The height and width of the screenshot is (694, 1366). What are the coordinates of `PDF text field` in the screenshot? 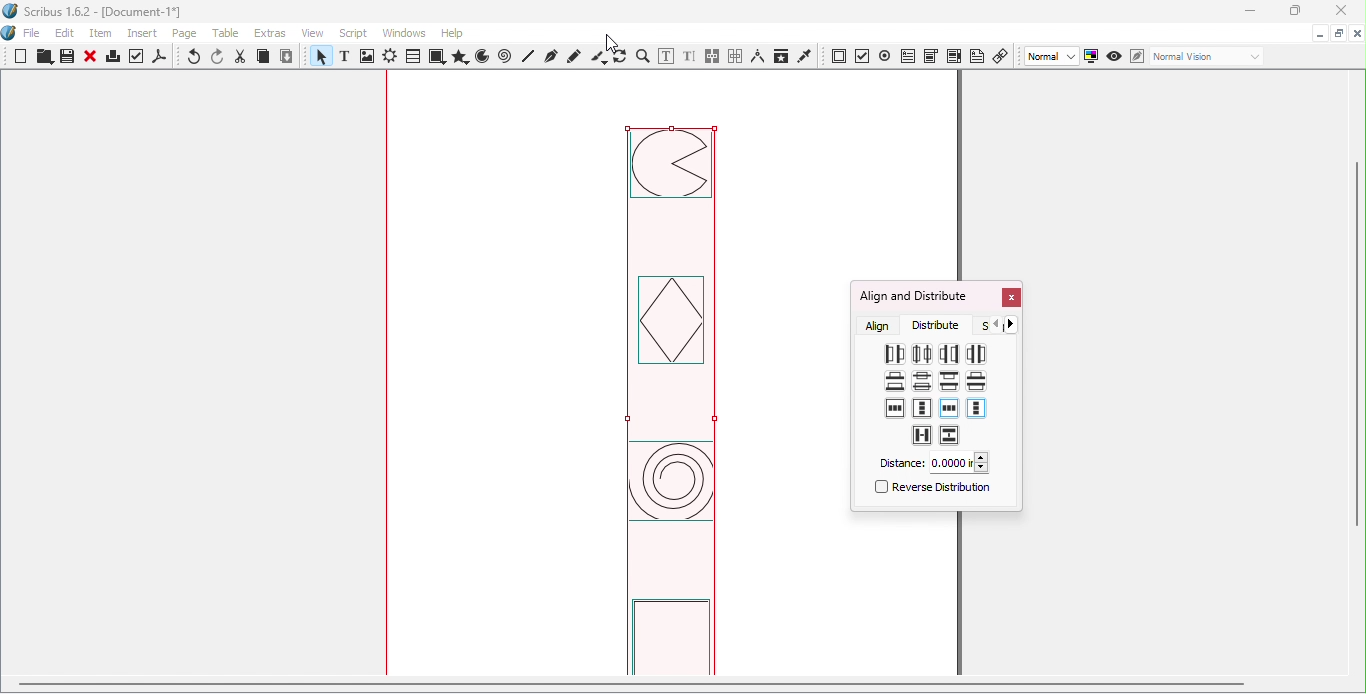 It's located at (907, 54).